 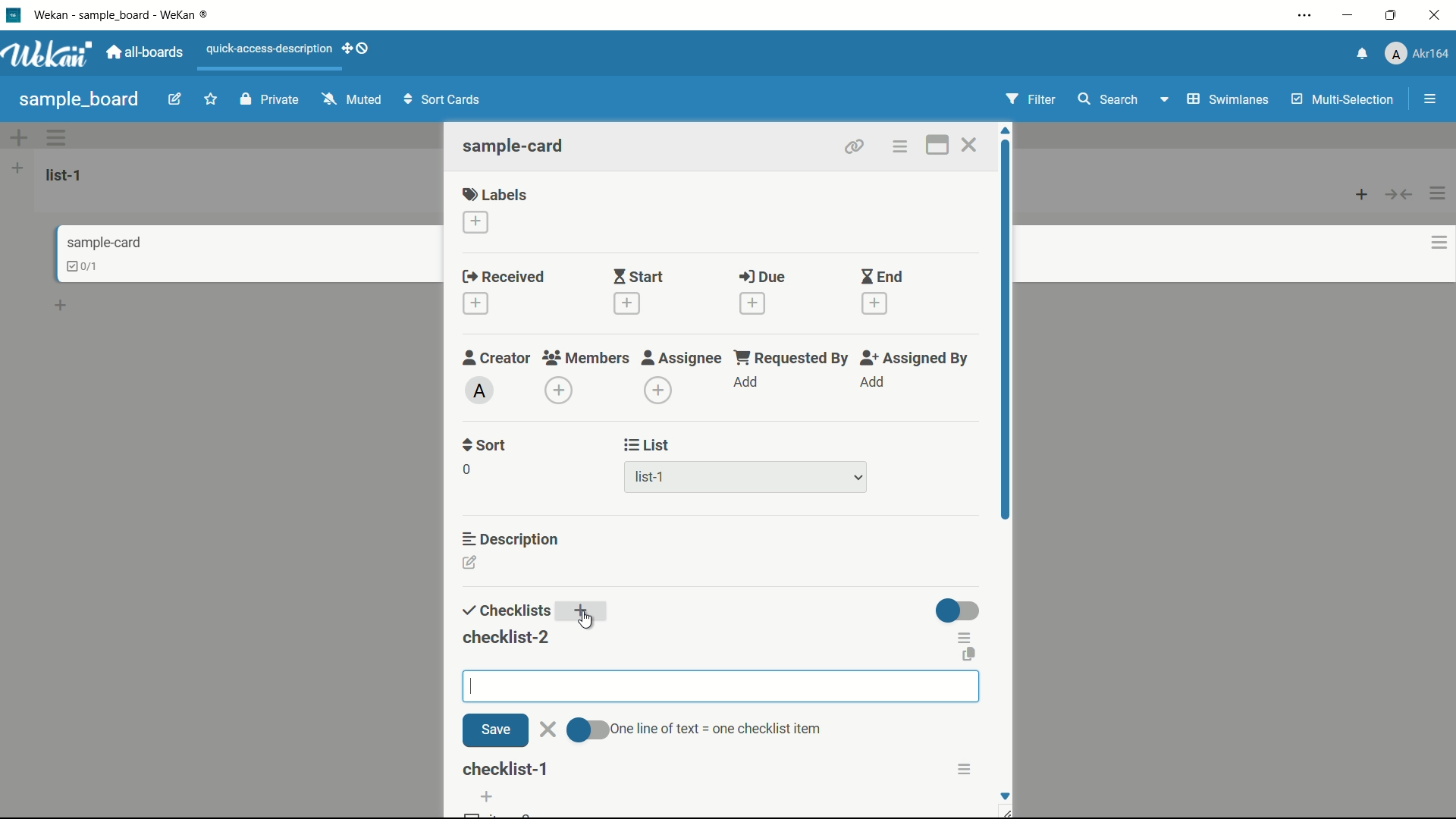 What do you see at coordinates (444, 101) in the screenshot?
I see `sort cards` at bounding box center [444, 101].